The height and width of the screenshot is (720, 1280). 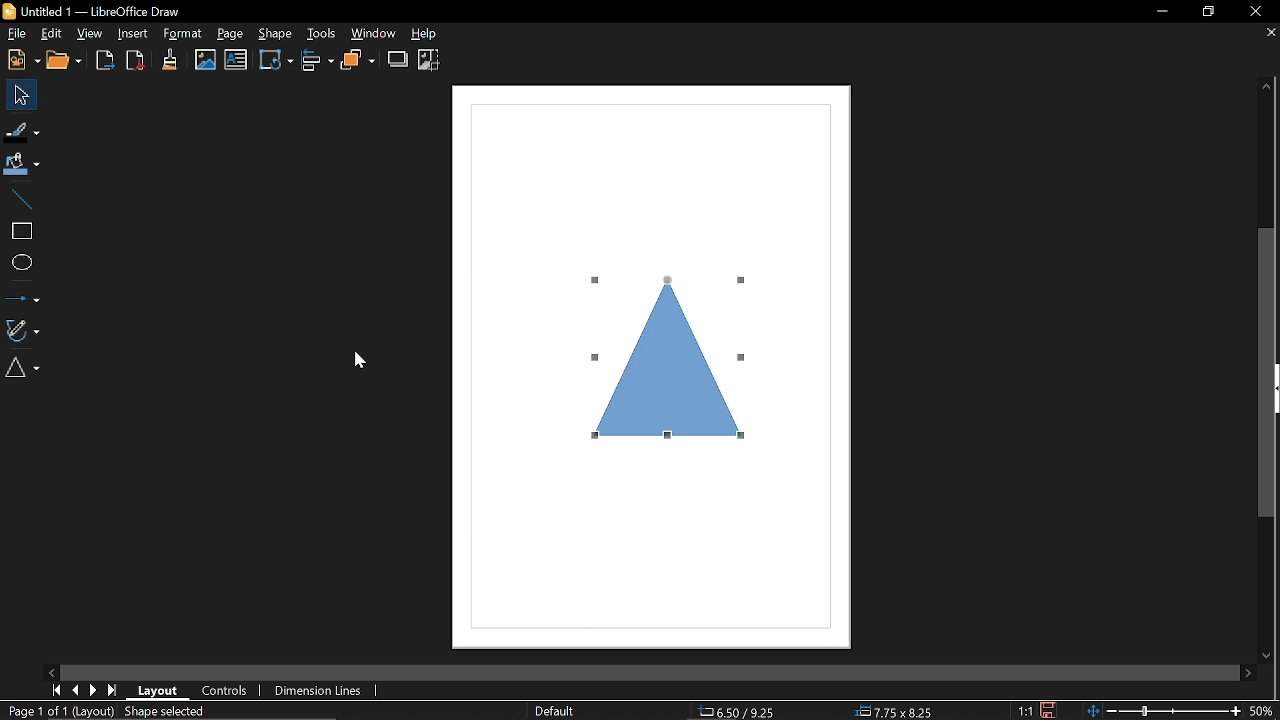 What do you see at coordinates (1254, 13) in the screenshot?
I see `Close` at bounding box center [1254, 13].